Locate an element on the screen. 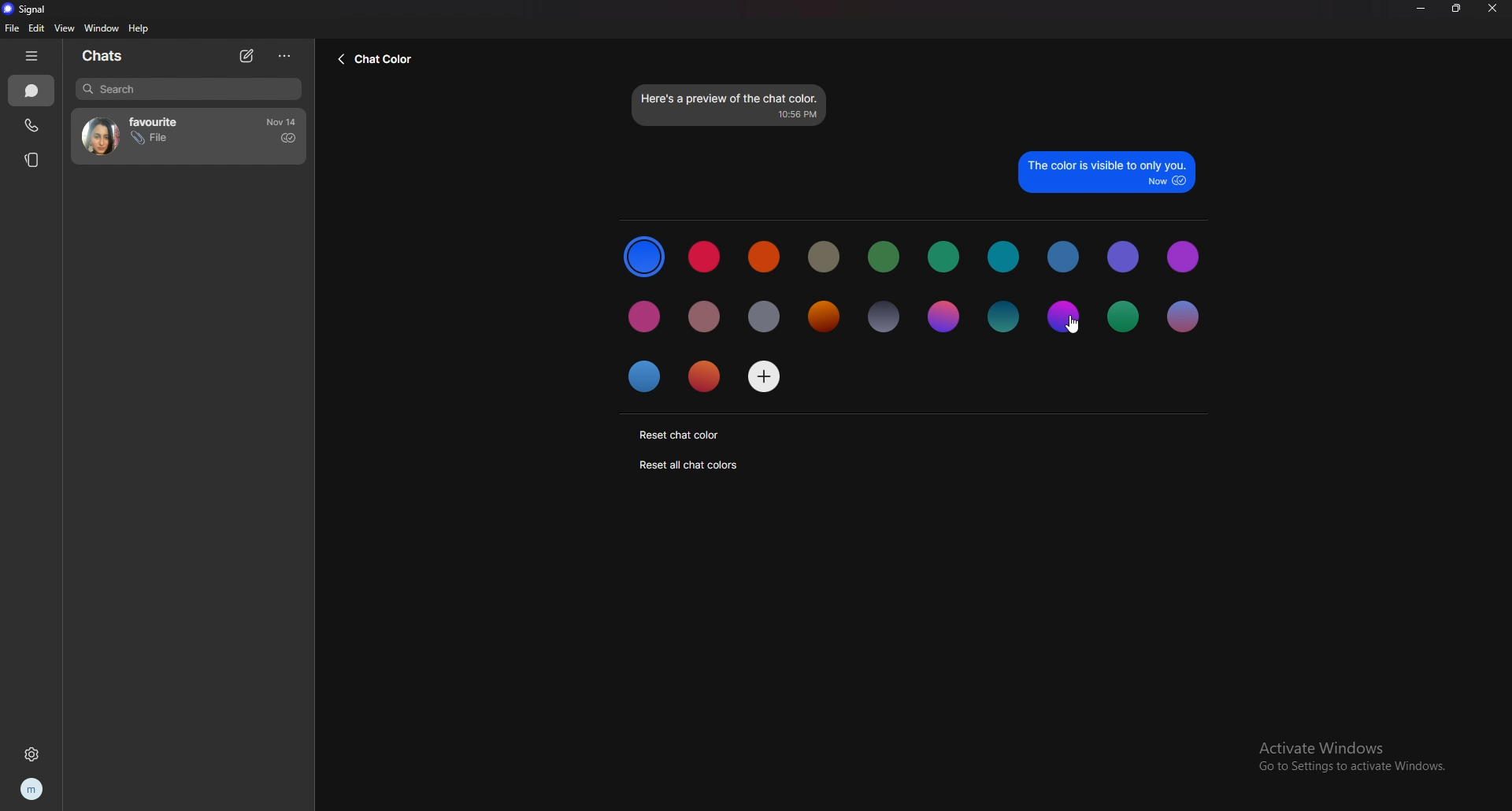 The width and height of the screenshot is (1512, 811). help is located at coordinates (140, 29).